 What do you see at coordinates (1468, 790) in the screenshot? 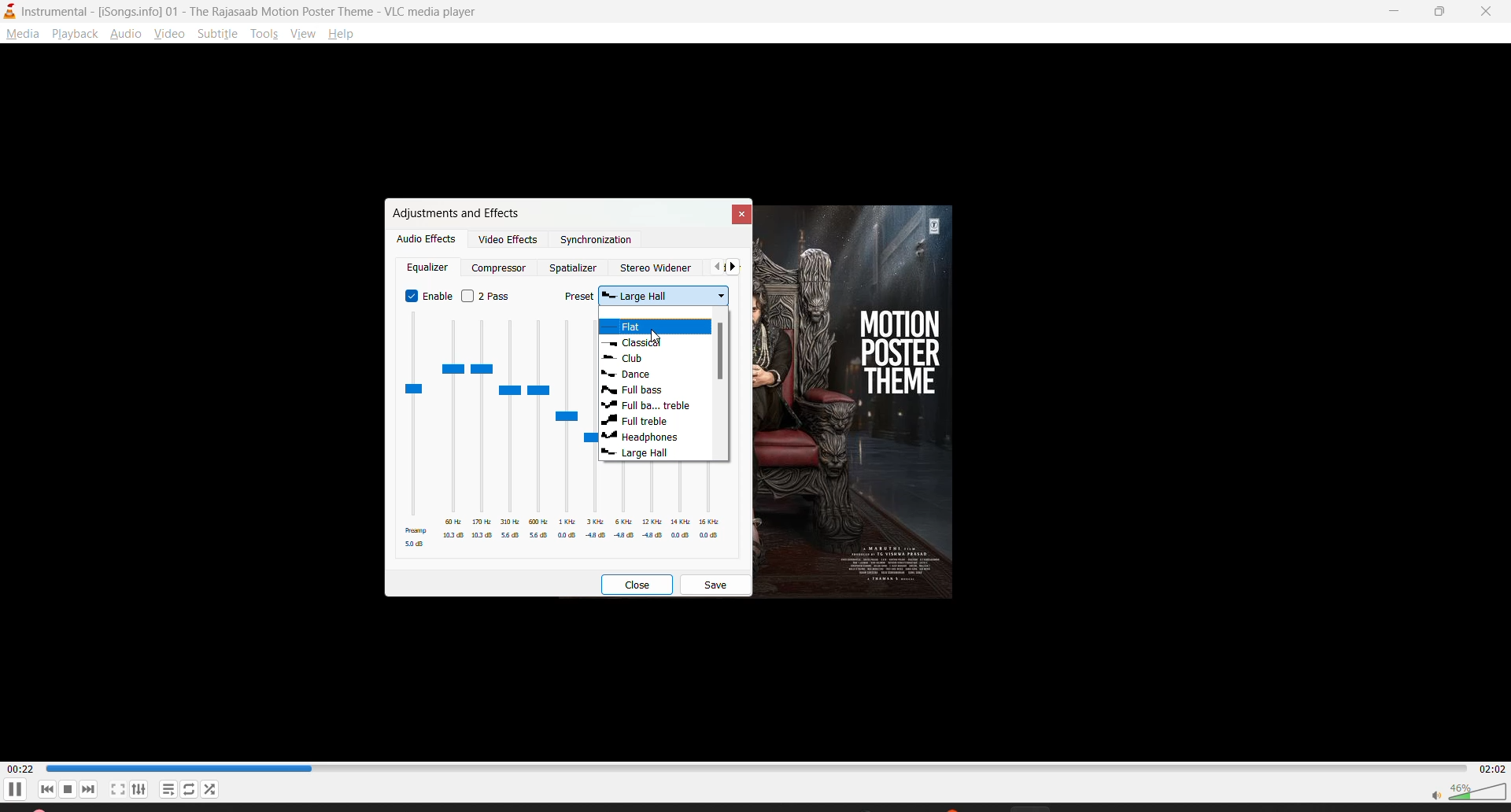
I see `volume` at bounding box center [1468, 790].